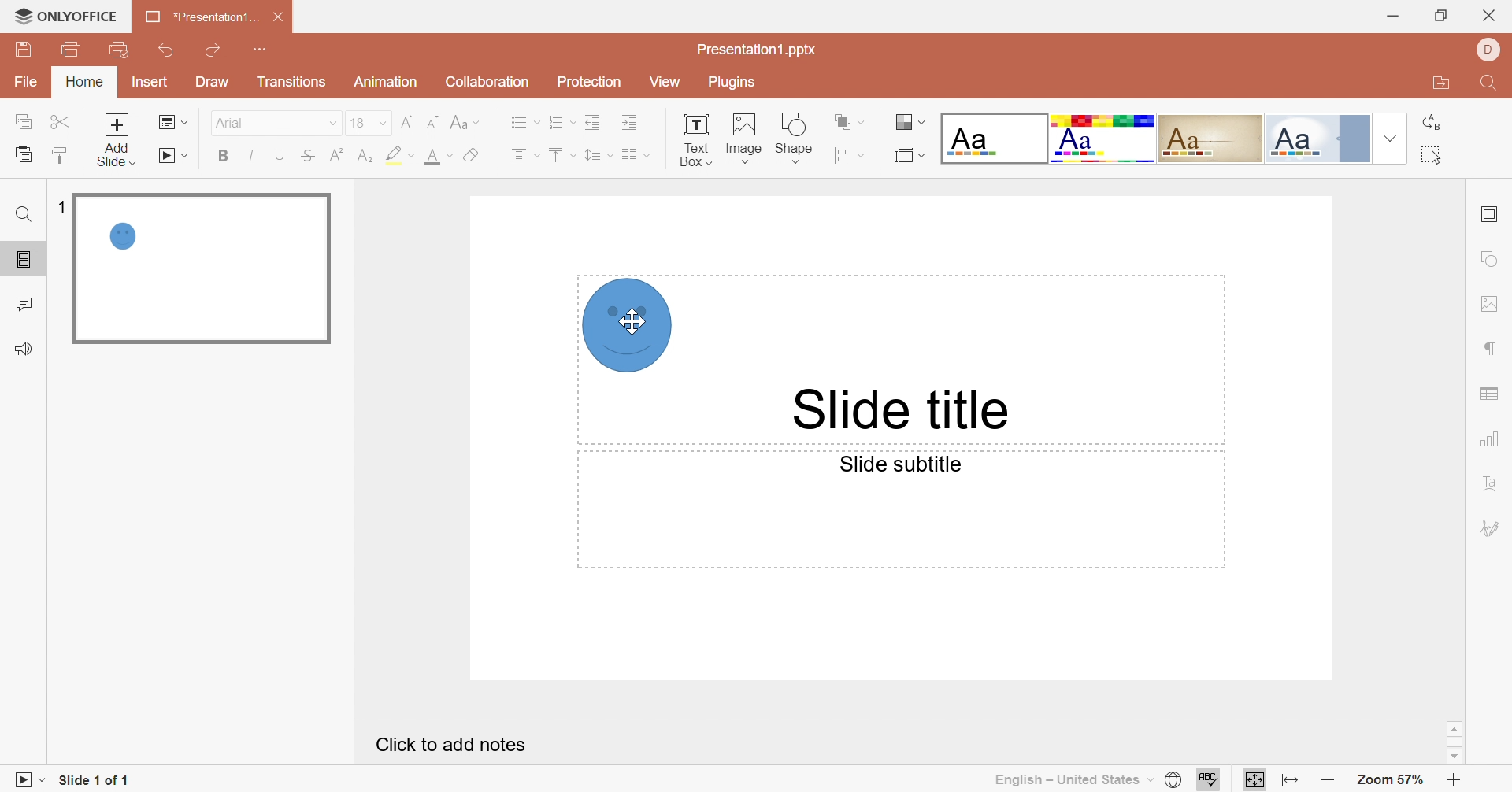 The image size is (1512, 792). What do you see at coordinates (291, 85) in the screenshot?
I see `Transitions` at bounding box center [291, 85].